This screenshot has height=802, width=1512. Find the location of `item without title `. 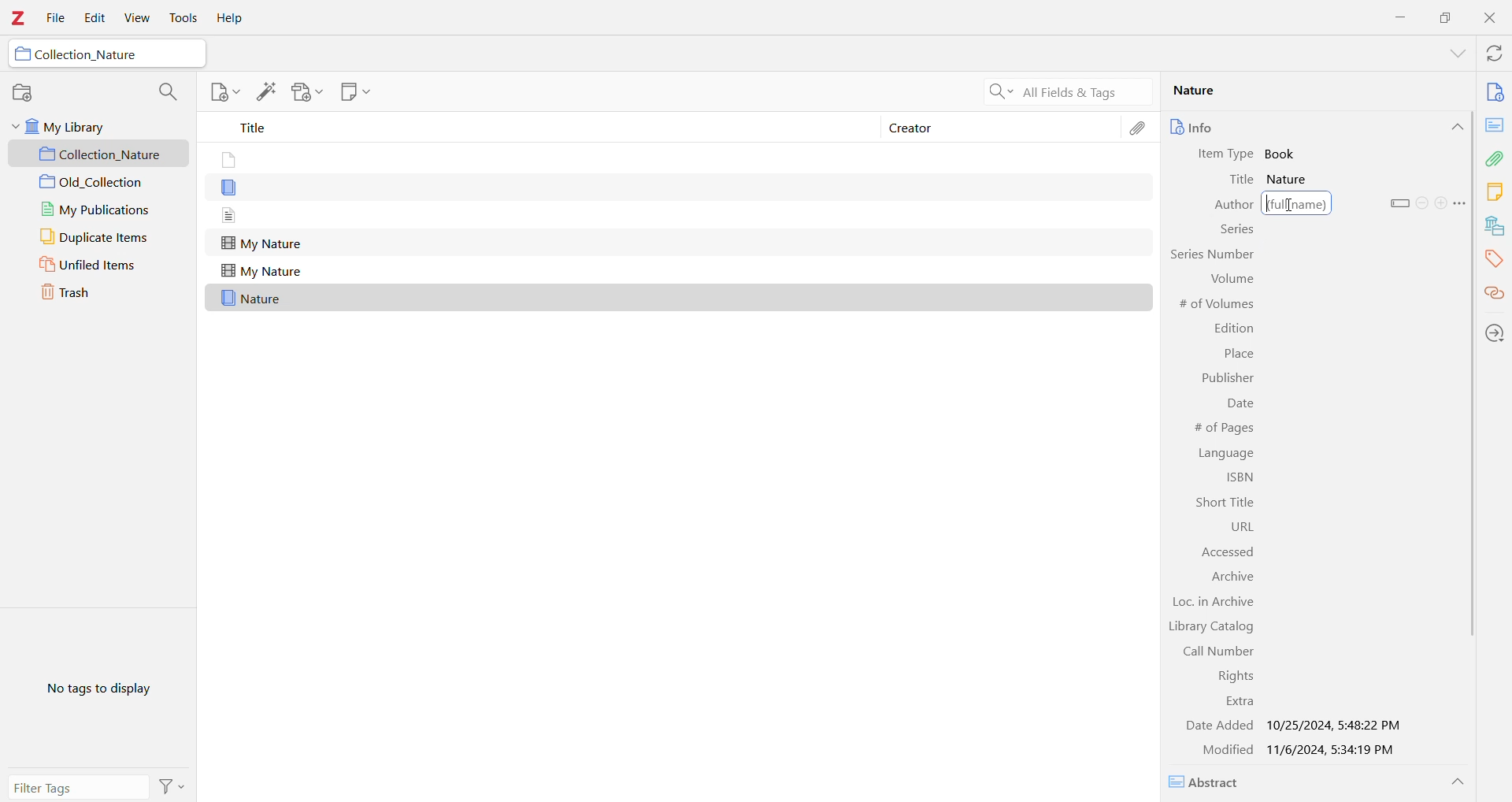

item without title  is located at coordinates (227, 161).